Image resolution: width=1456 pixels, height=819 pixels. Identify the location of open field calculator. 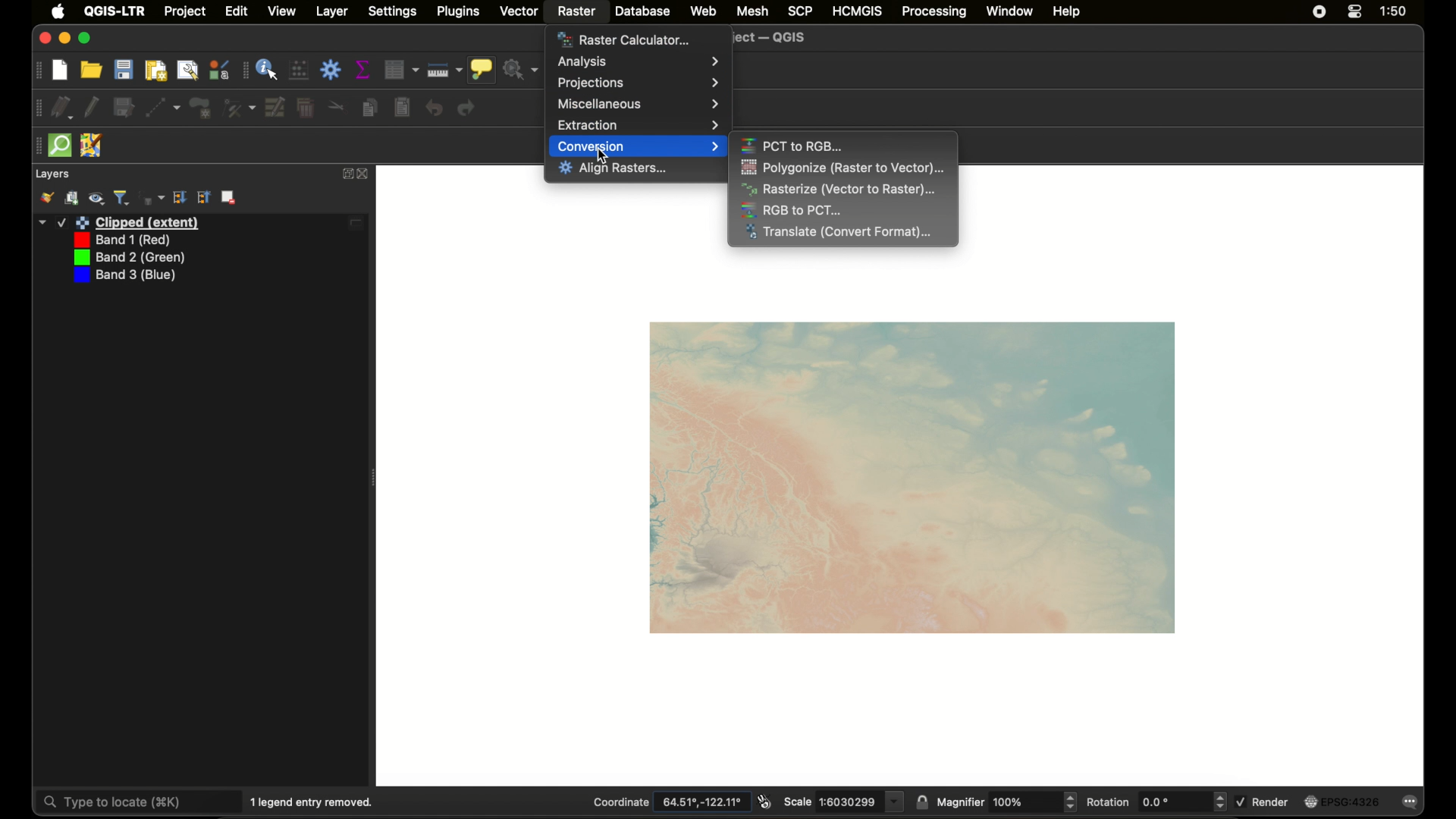
(298, 69).